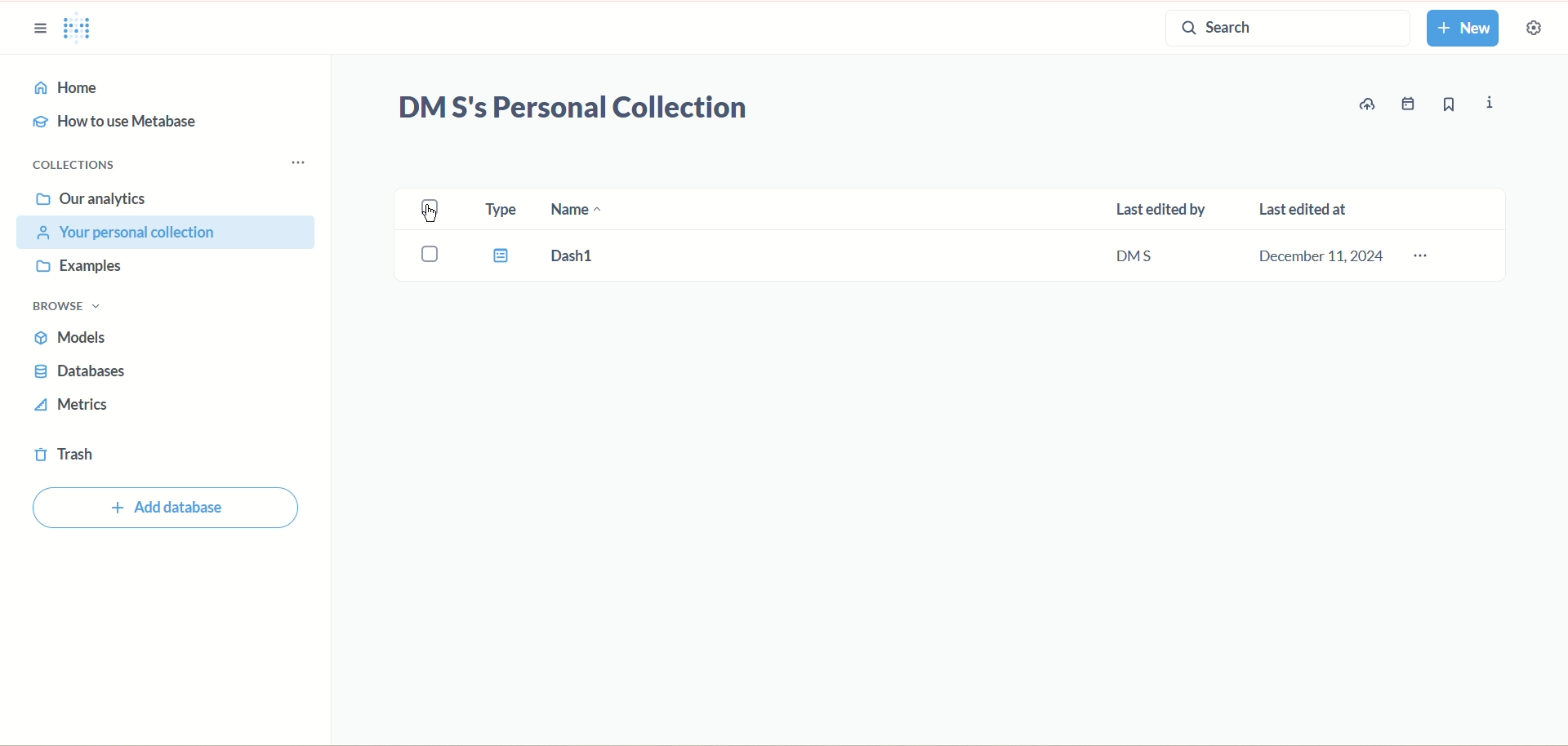 The image size is (1568, 746). I want to click on name, so click(577, 208).